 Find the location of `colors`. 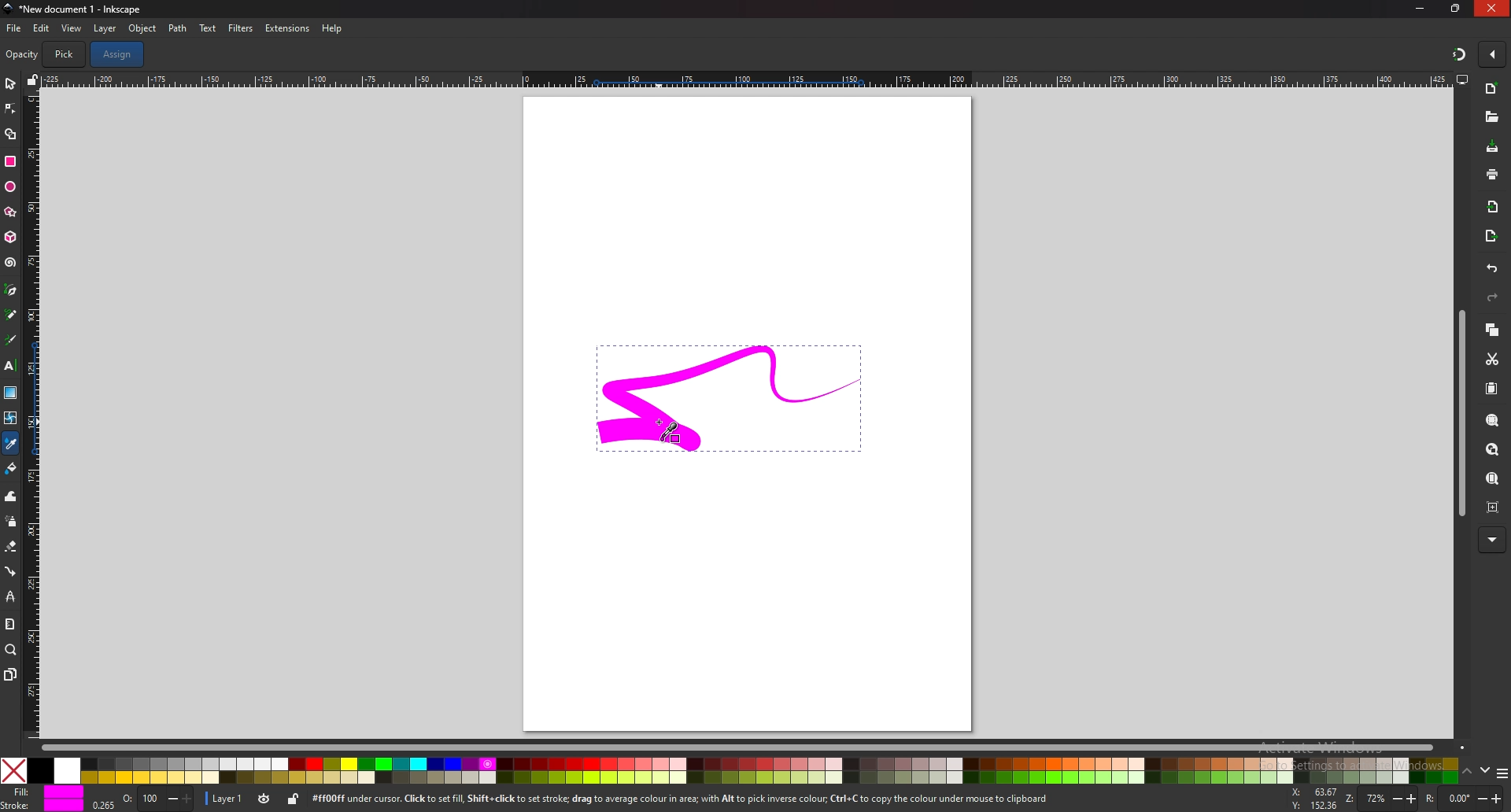

colors is located at coordinates (729, 770).